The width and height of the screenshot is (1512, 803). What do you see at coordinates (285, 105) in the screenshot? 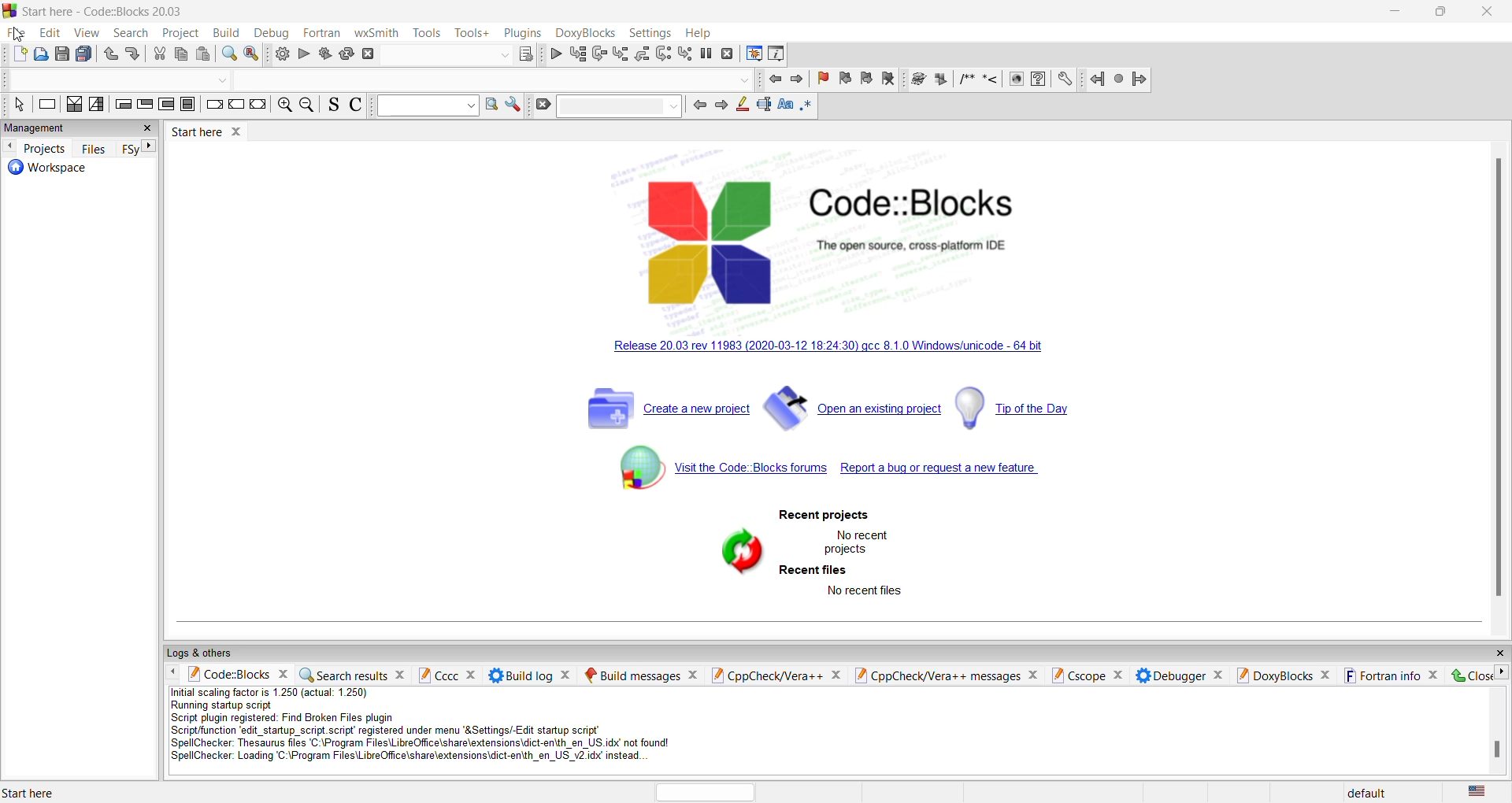
I see `zoom in` at bounding box center [285, 105].